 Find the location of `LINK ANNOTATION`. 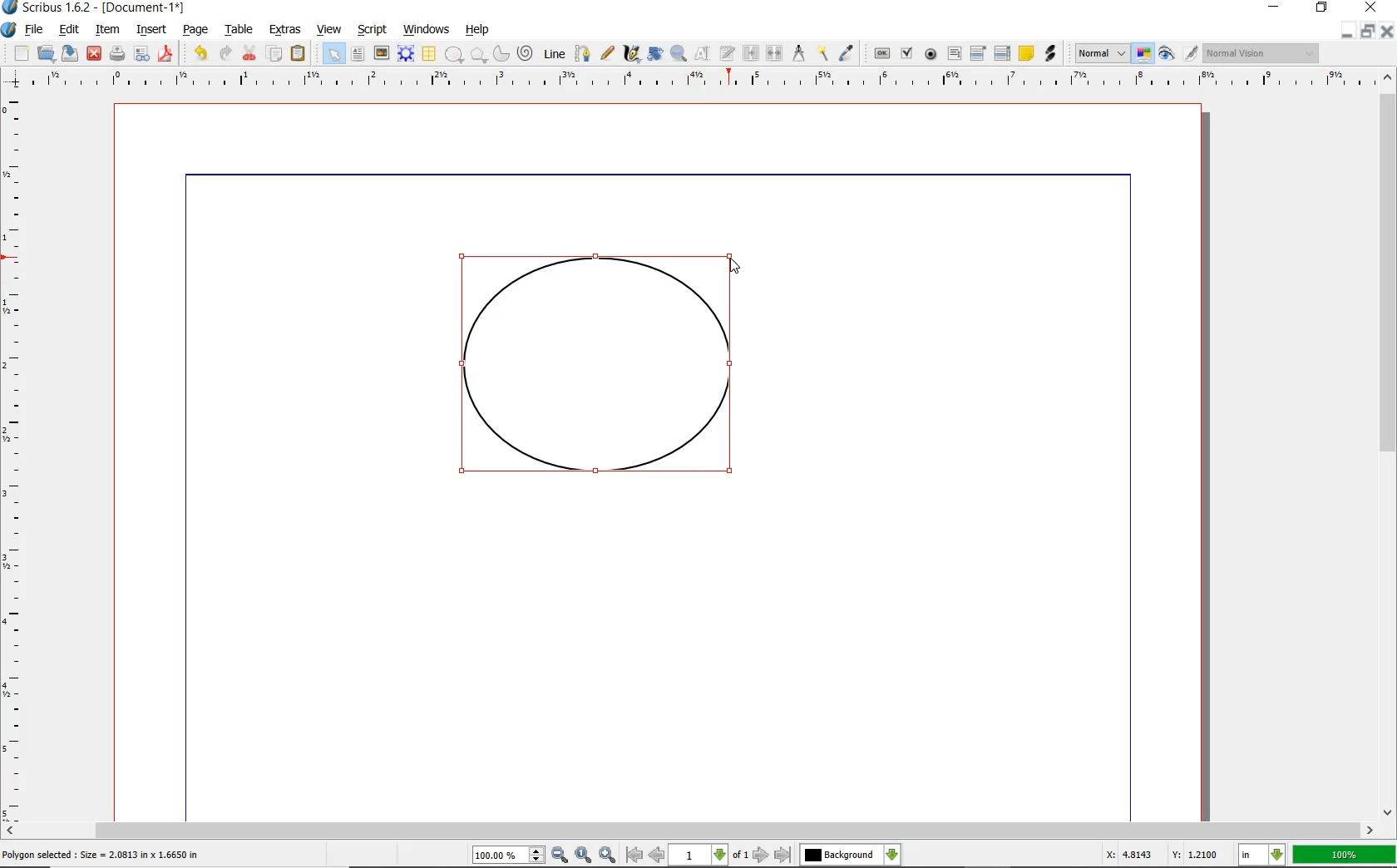

LINK ANNOTATION is located at coordinates (1051, 54).